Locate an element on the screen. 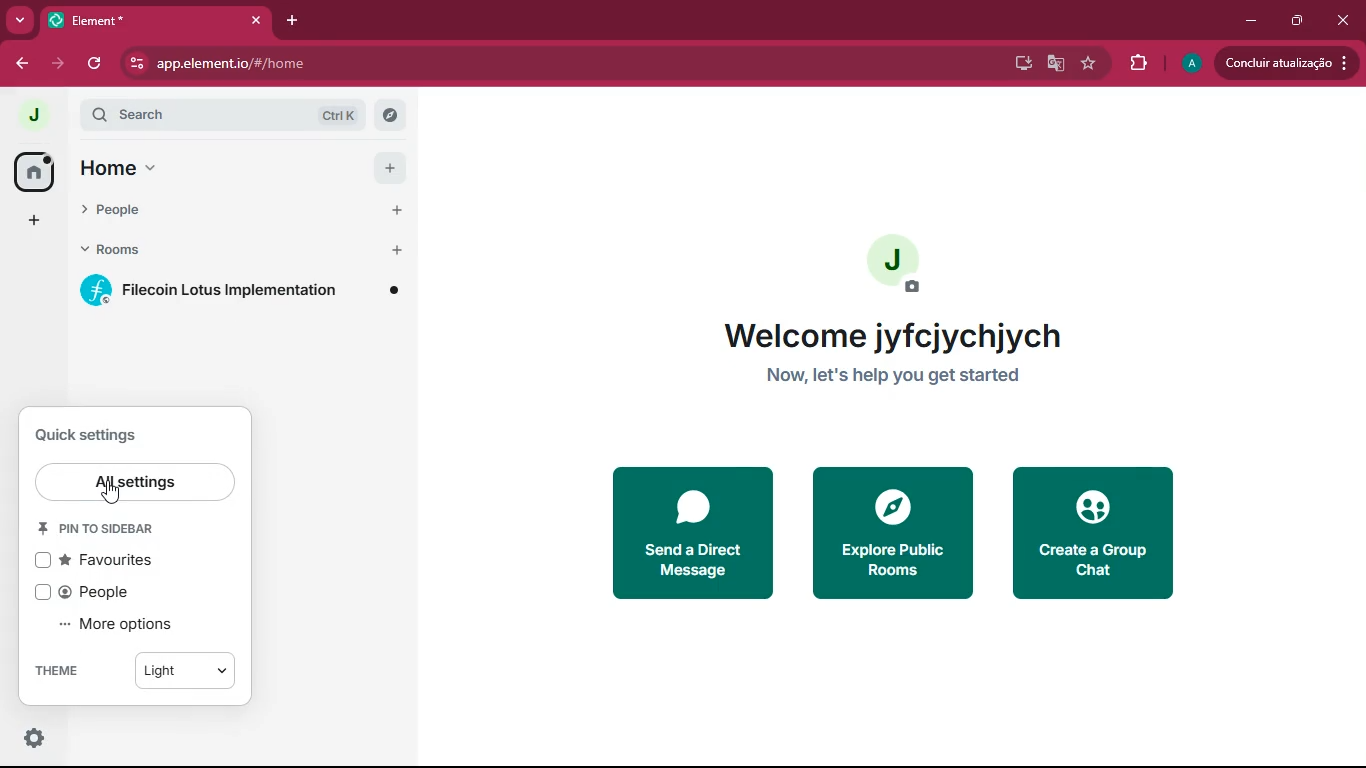 The height and width of the screenshot is (768, 1366). pin  is located at coordinates (108, 527).